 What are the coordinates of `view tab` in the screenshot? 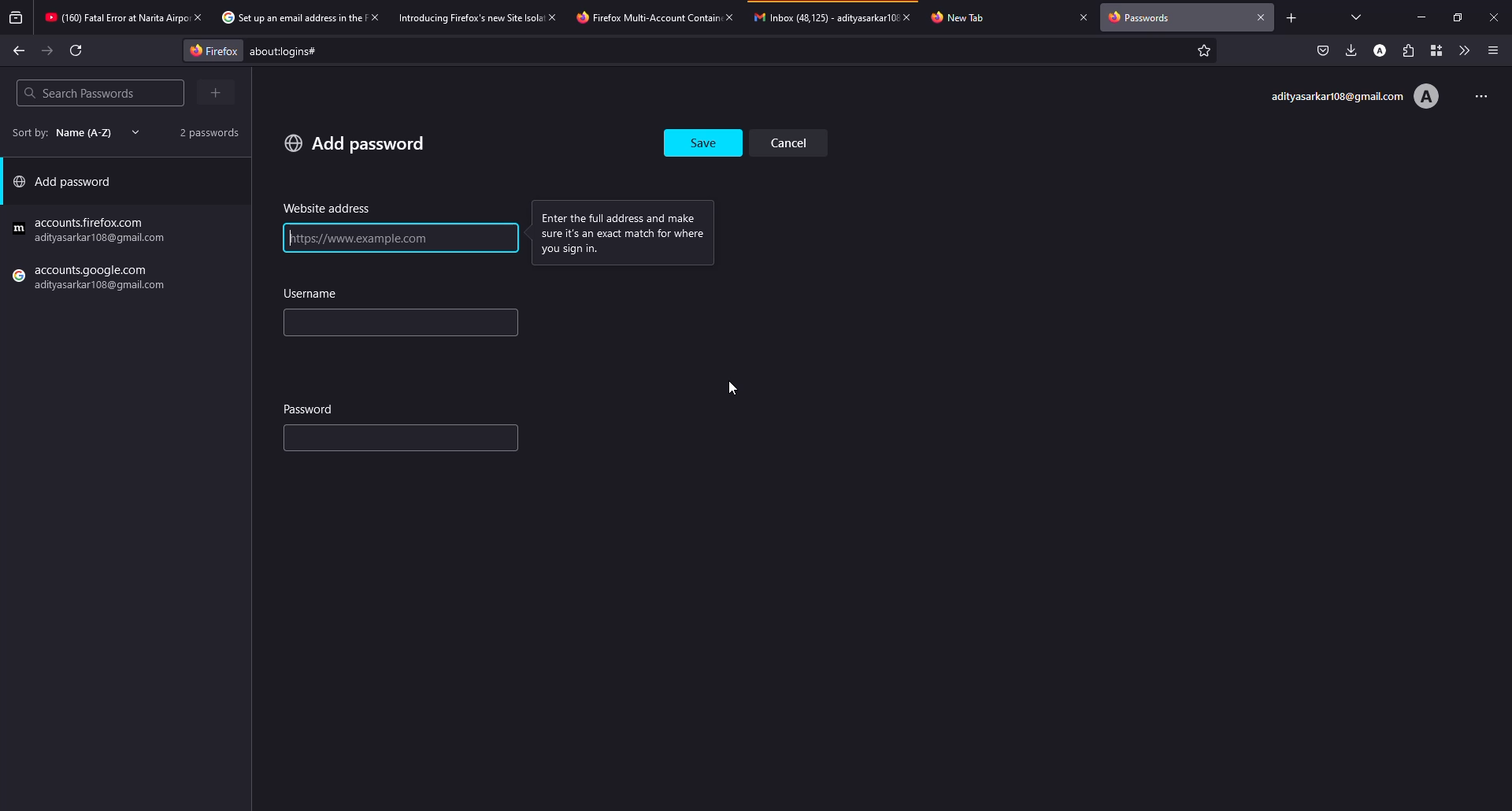 It's located at (1357, 17).